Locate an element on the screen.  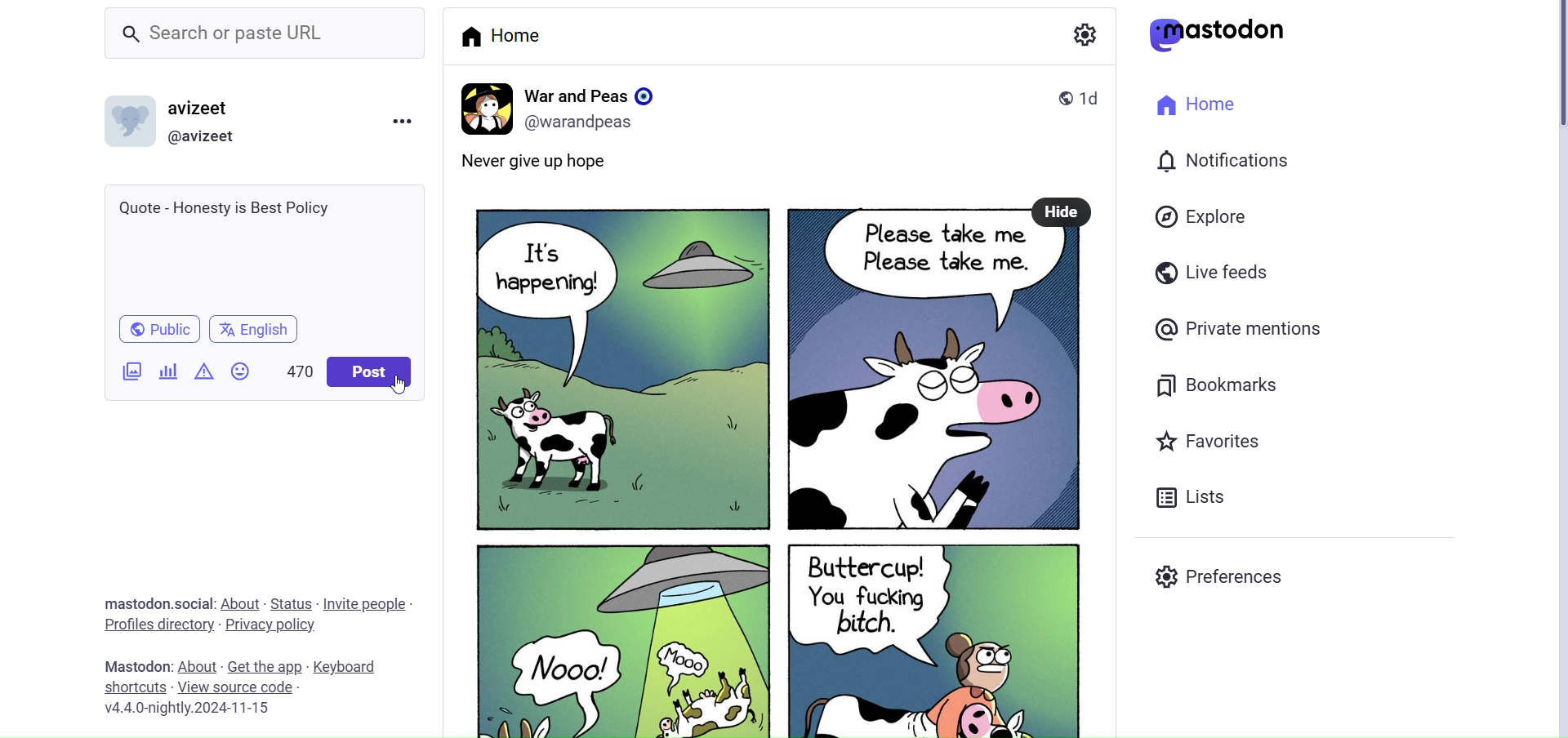
1d is located at coordinates (1098, 96).